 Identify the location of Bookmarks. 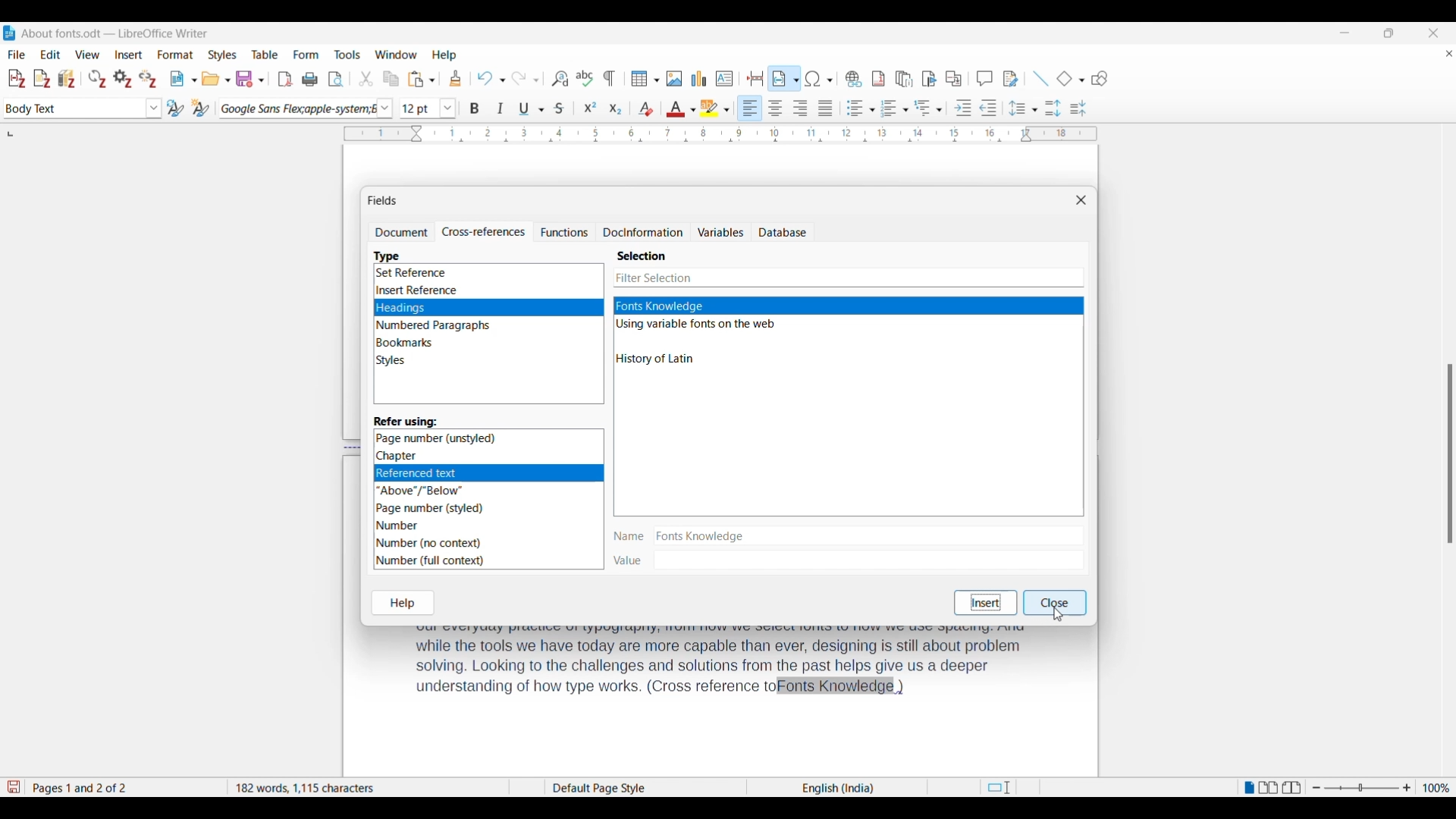
(405, 343).